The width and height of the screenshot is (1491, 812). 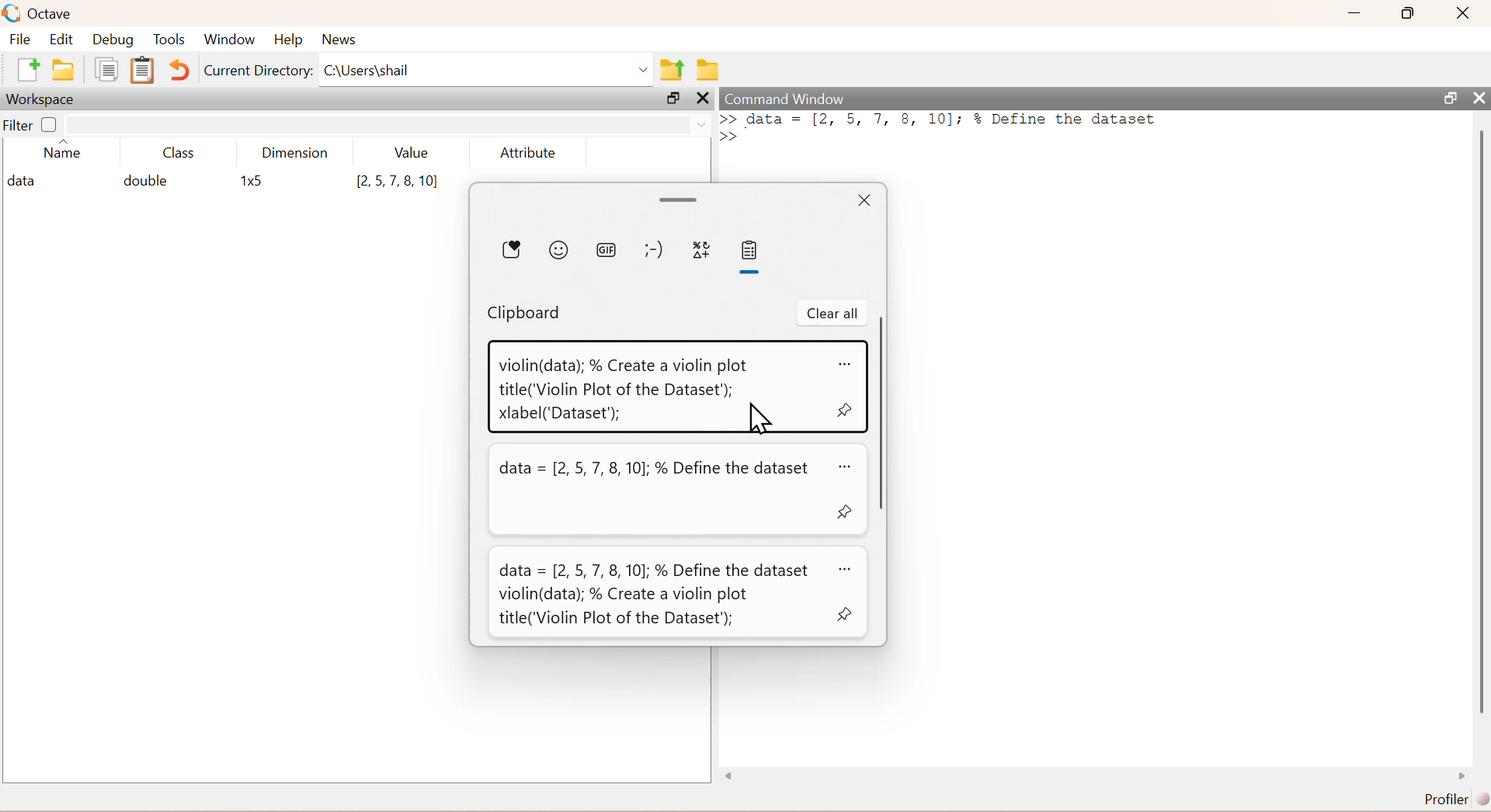 What do you see at coordinates (144, 180) in the screenshot?
I see `double` at bounding box center [144, 180].